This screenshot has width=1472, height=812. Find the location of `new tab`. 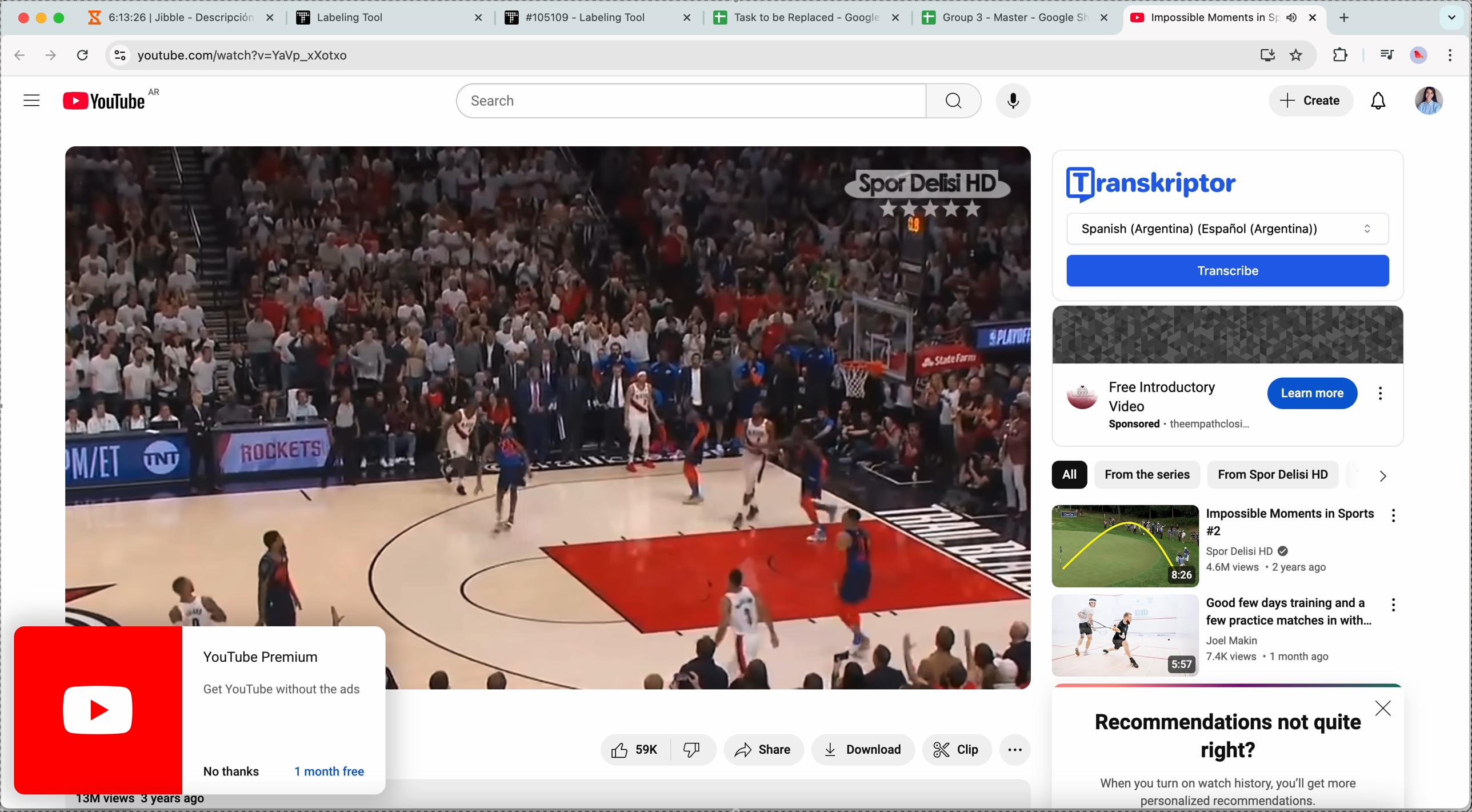

new tab is located at coordinates (1347, 17).